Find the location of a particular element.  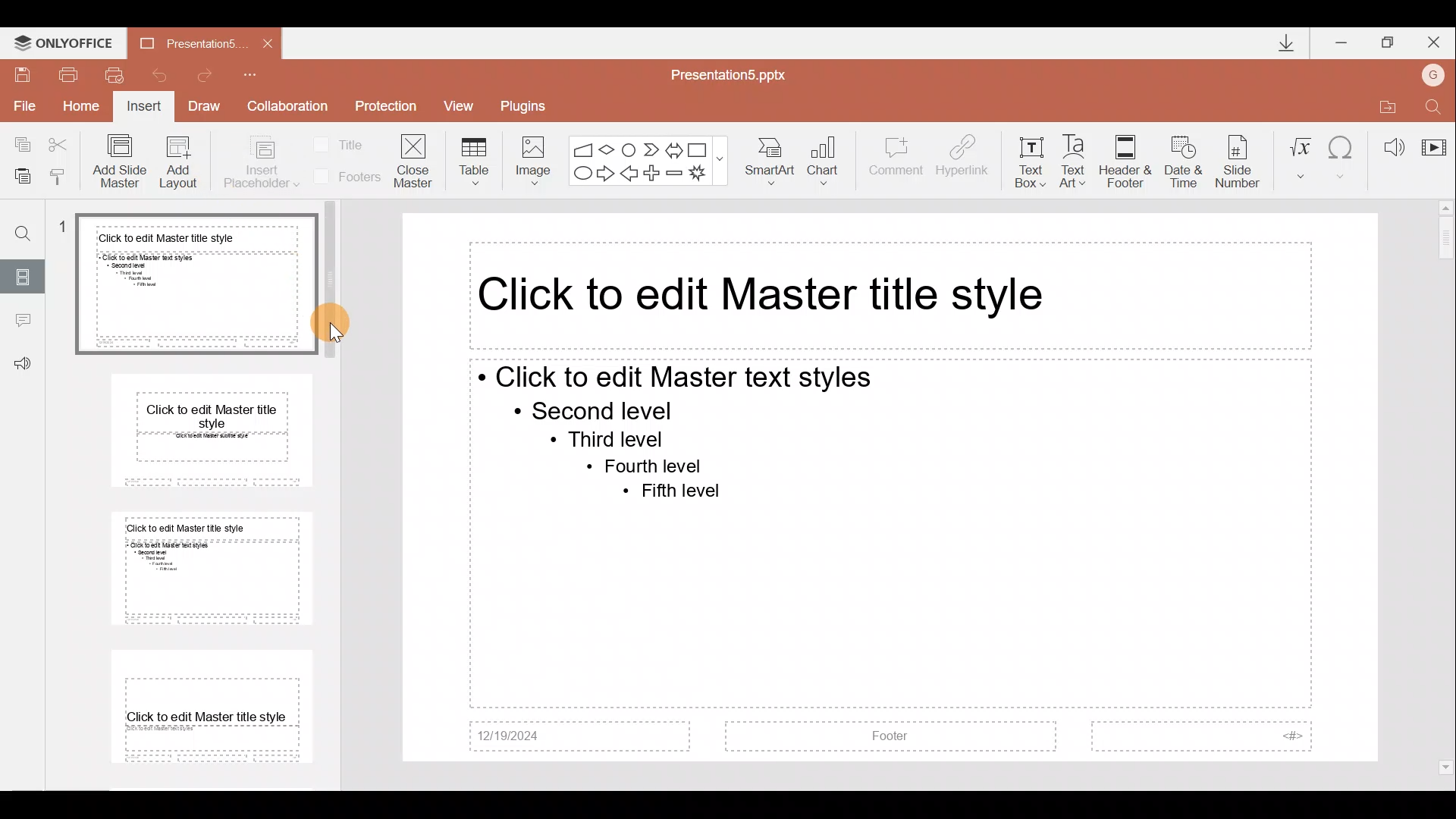

Rectangle is located at coordinates (699, 148).